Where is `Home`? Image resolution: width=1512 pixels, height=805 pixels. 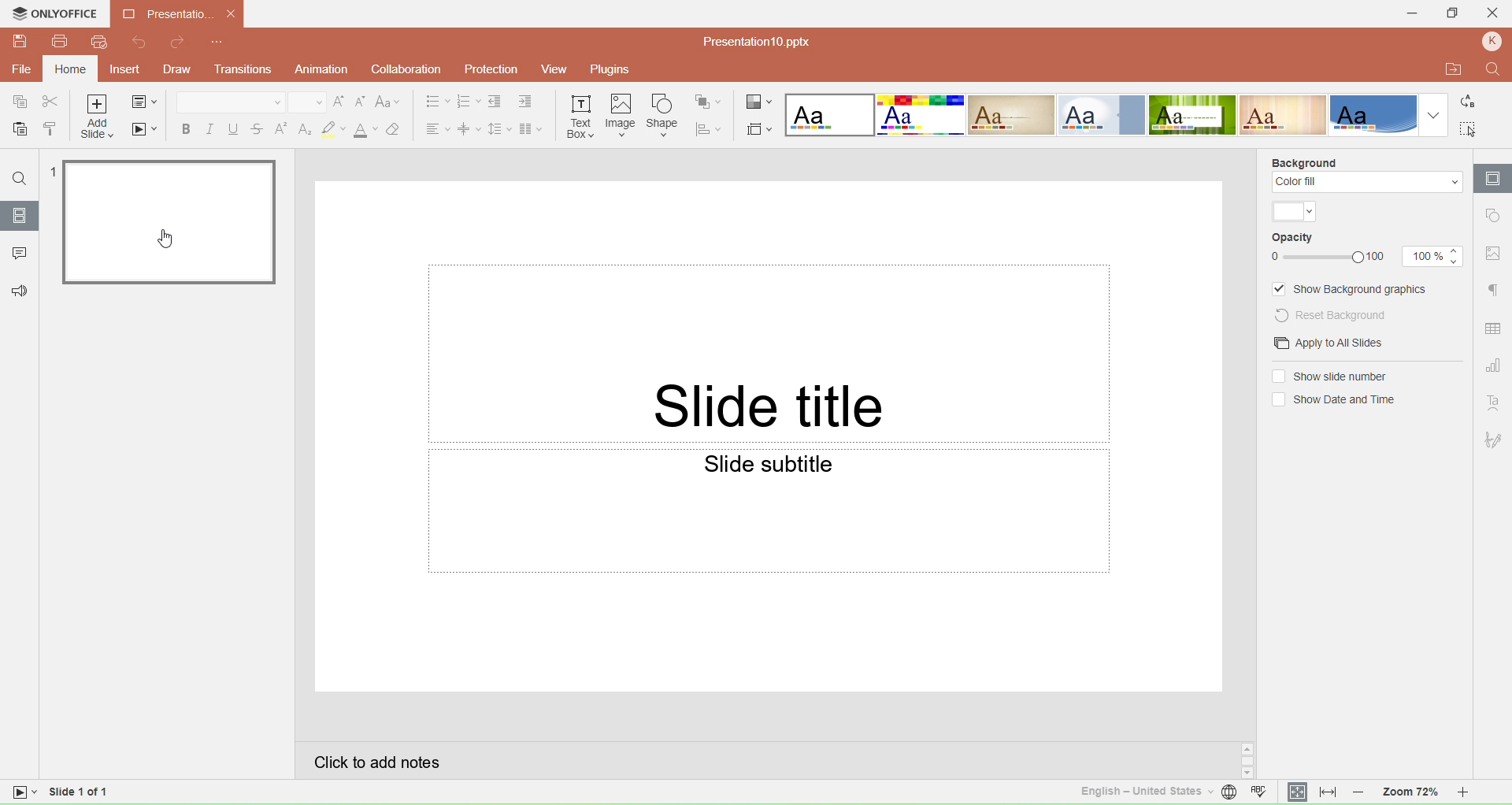 Home is located at coordinates (70, 69).